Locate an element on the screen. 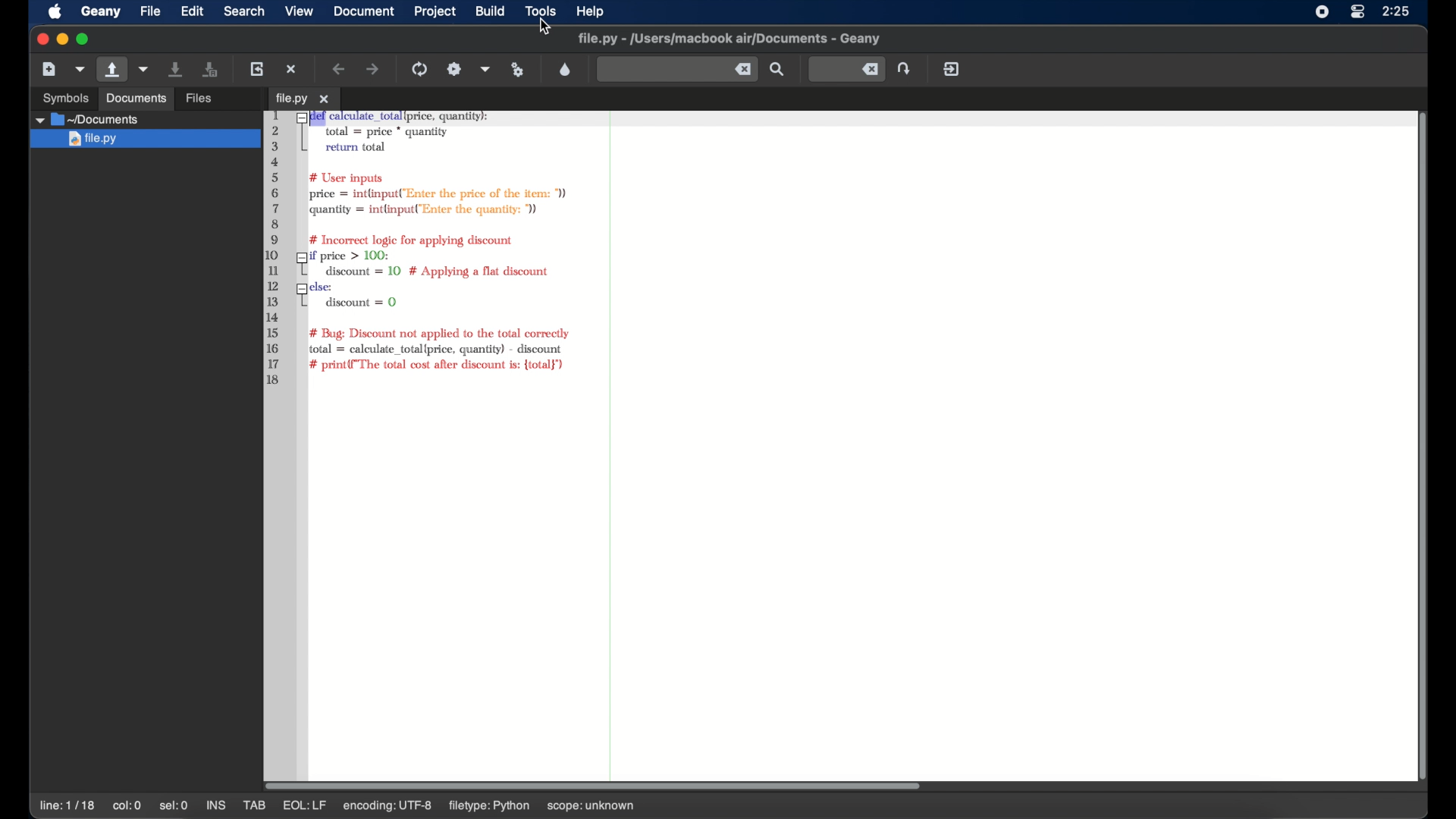 This screenshot has height=819, width=1456. navigate backward a location is located at coordinates (340, 69).